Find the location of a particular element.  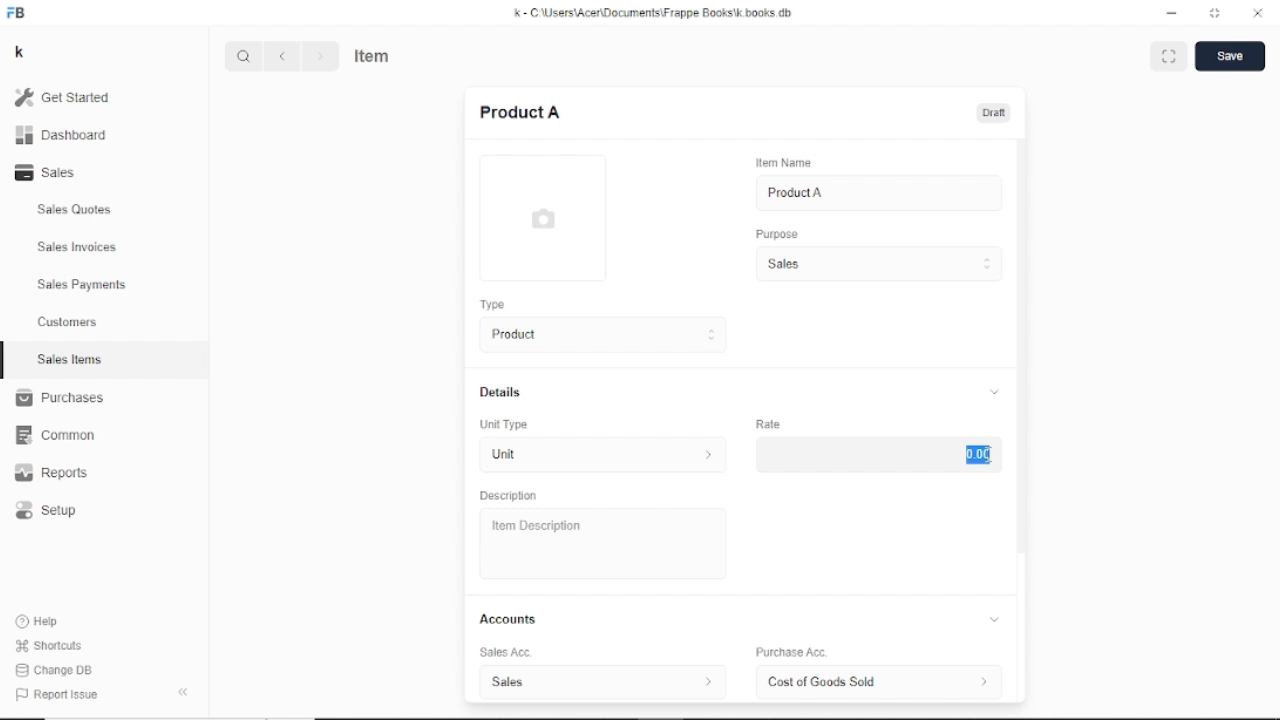

0.00 is located at coordinates (978, 454).